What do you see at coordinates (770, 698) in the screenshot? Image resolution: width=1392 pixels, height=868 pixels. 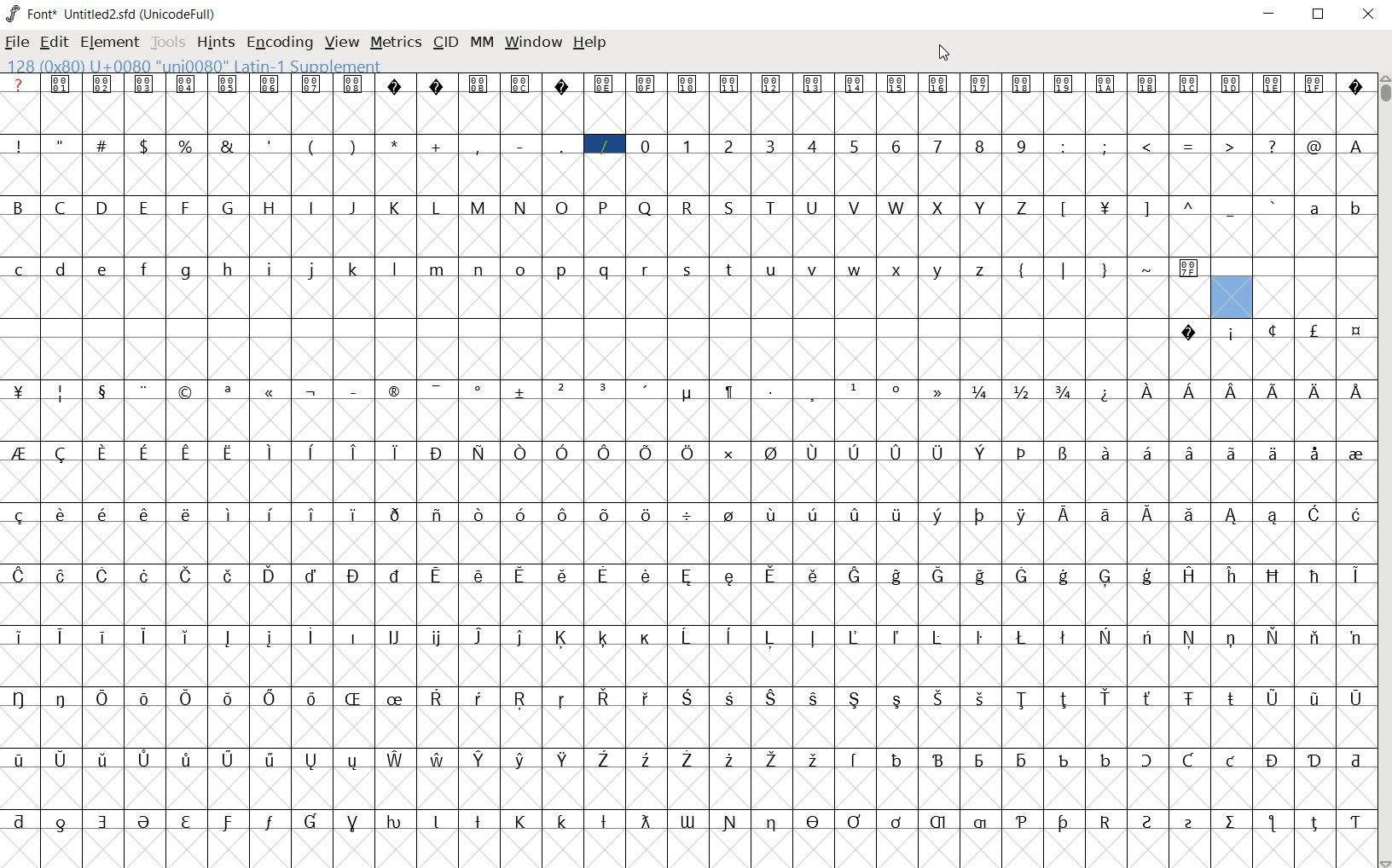 I see `glyph` at bounding box center [770, 698].